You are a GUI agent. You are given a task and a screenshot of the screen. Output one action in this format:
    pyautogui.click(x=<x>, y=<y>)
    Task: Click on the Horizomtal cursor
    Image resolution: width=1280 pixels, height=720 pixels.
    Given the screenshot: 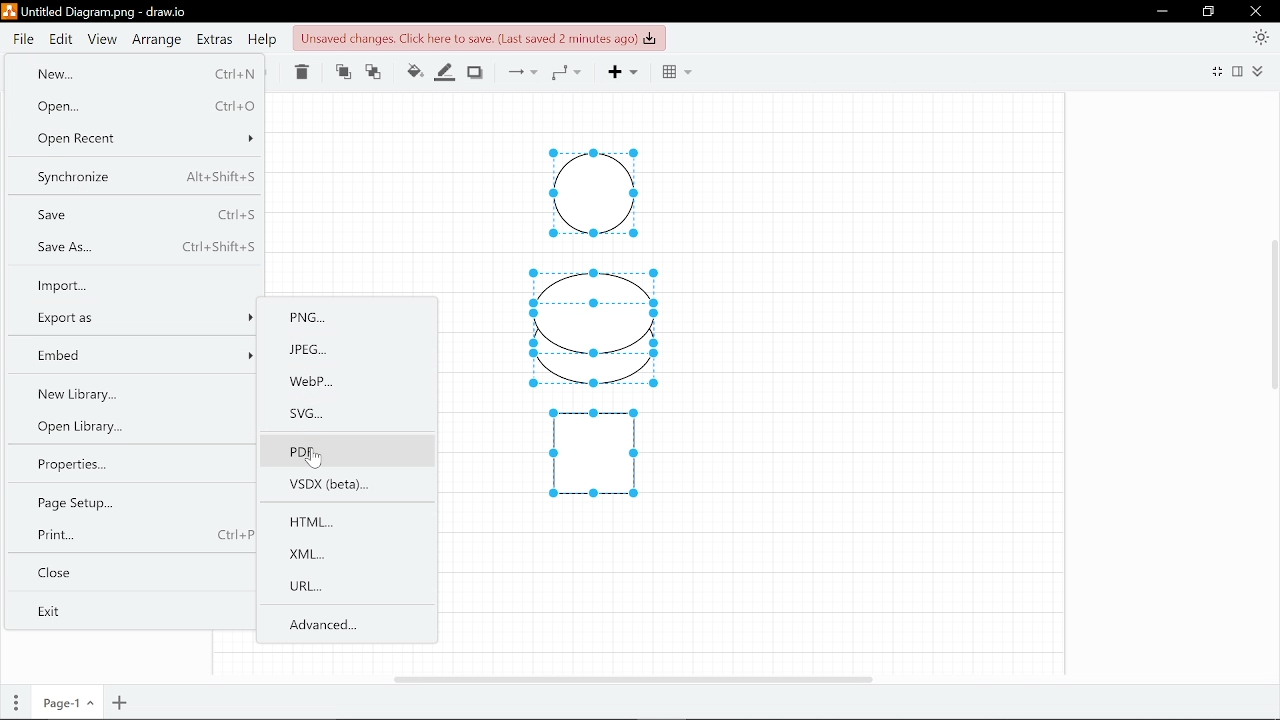 What is the action you would take?
    pyautogui.click(x=632, y=678)
    